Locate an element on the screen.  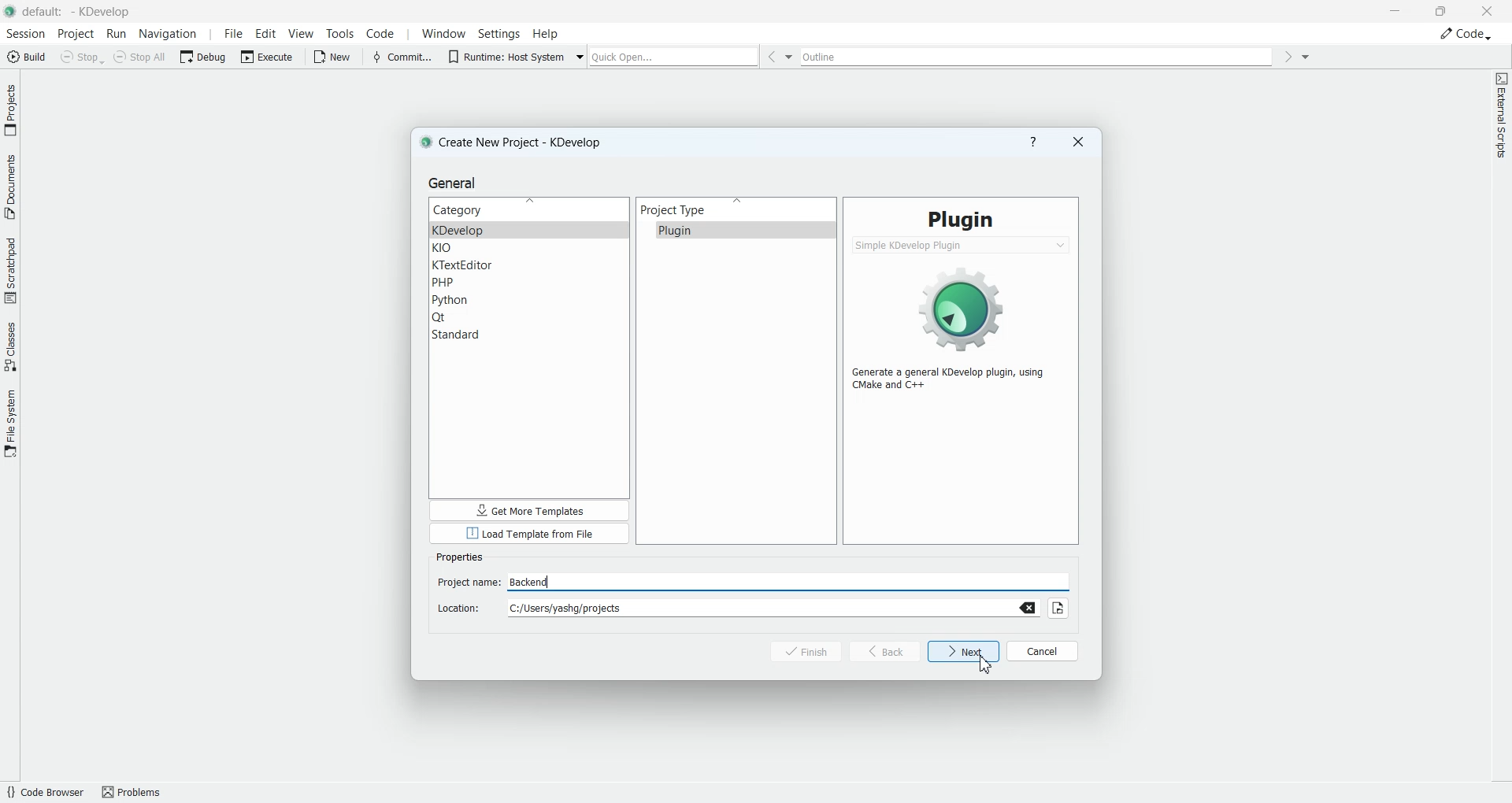
Debug is located at coordinates (205, 56).